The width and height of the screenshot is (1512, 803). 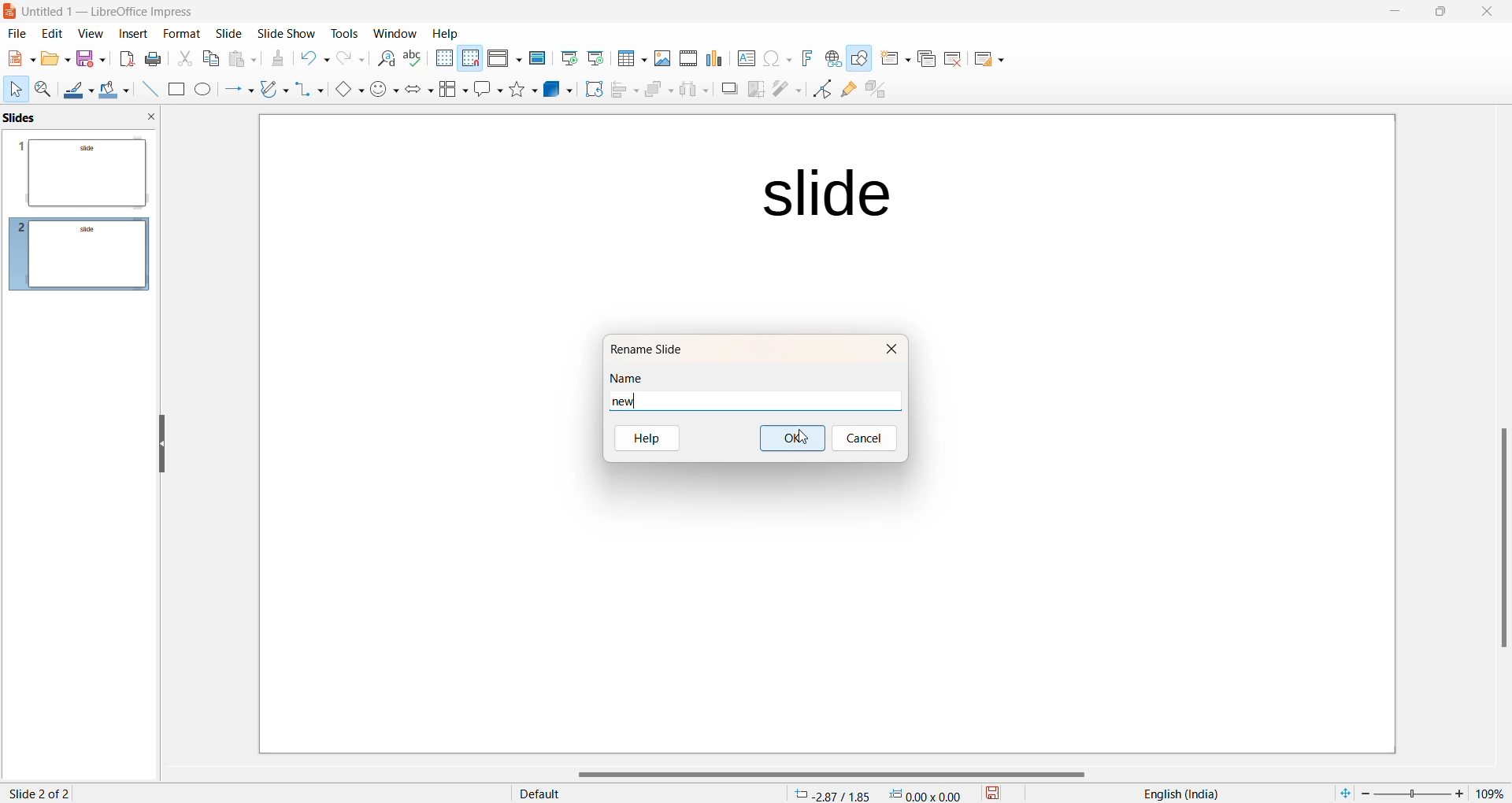 I want to click on cursor location: -2.87/1.85, so click(x=832, y=794).